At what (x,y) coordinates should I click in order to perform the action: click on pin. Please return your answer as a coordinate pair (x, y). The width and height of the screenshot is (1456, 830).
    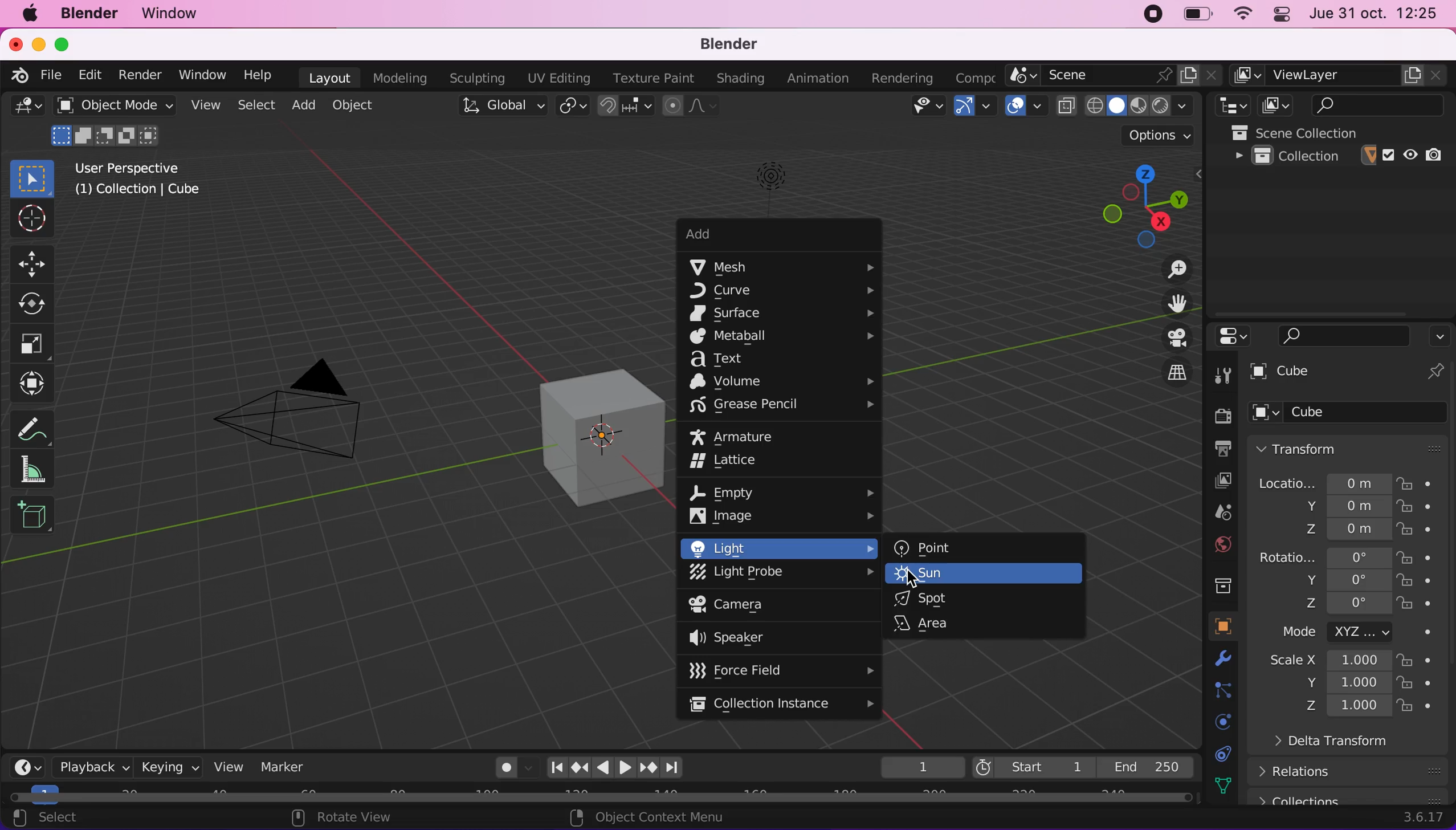
    Looking at the image, I should click on (1435, 373).